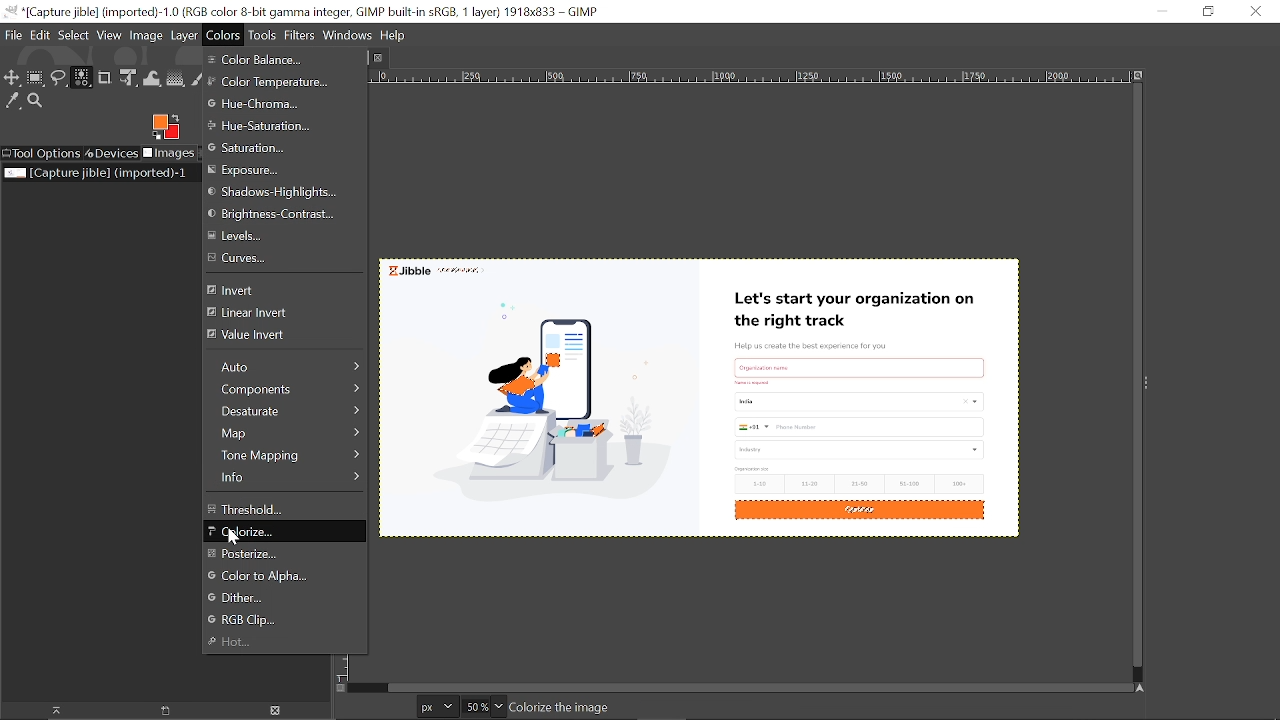 The width and height of the screenshot is (1280, 720). What do you see at coordinates (73, 35) in the screenshot?
I see `Select` at bounding box center [73, 35].